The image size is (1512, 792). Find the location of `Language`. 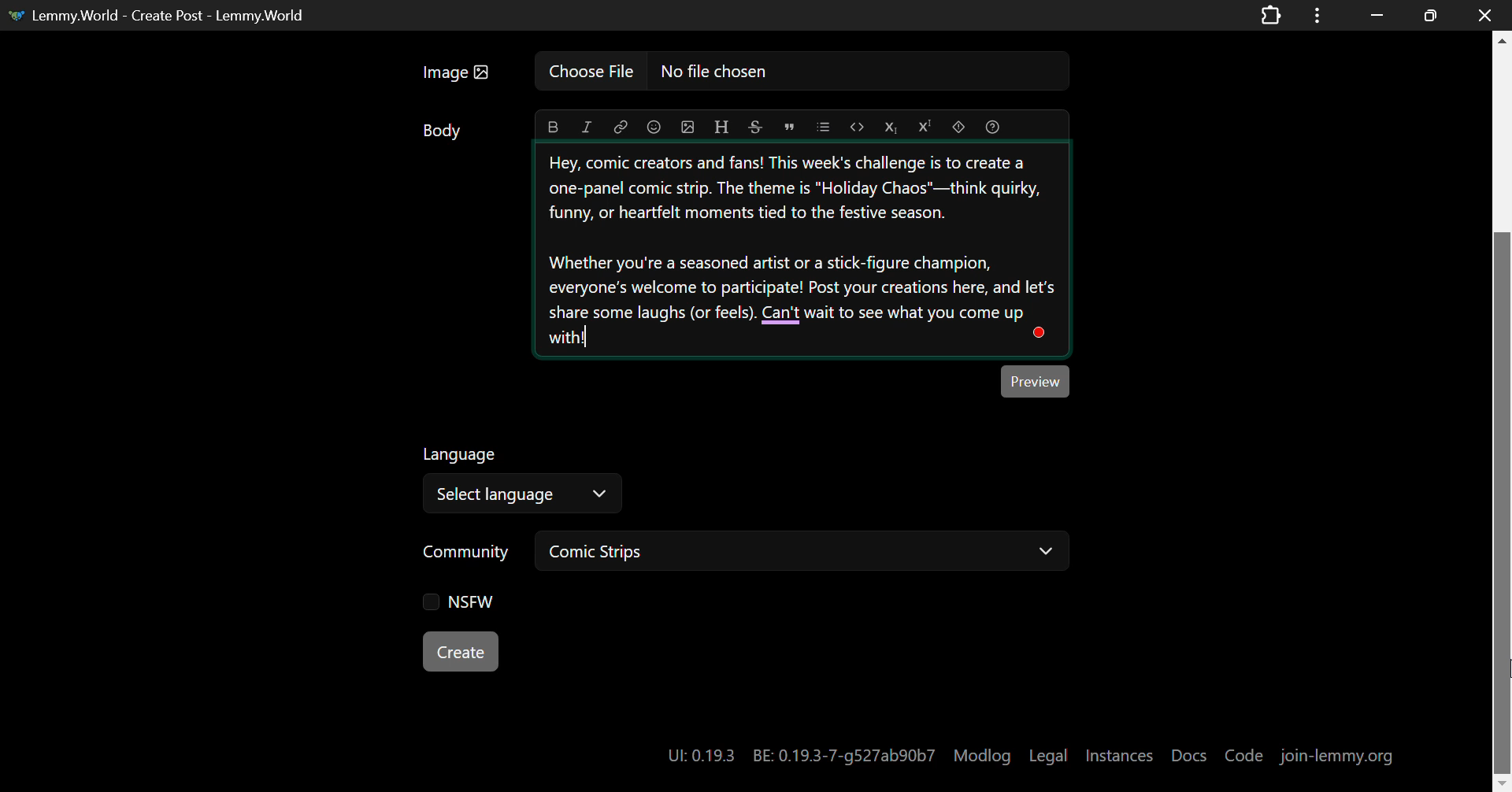

Language is located at coordinates (461, 453).